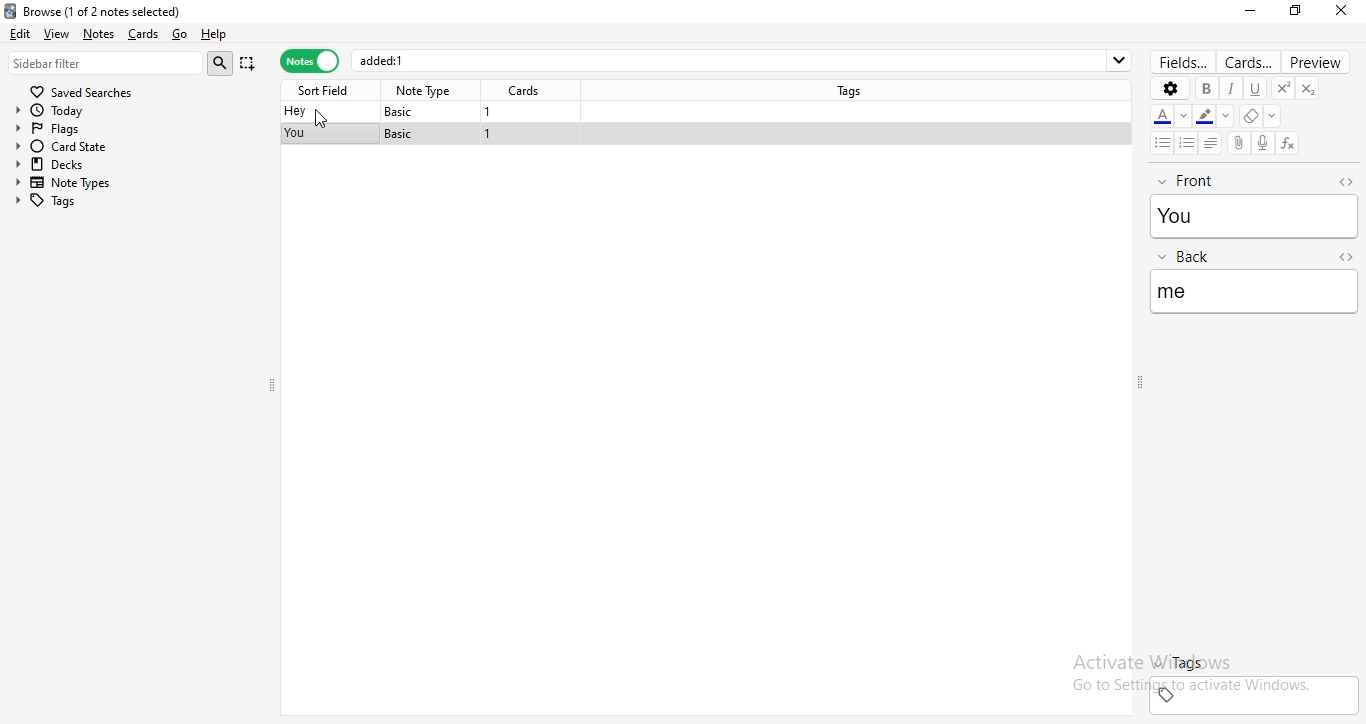 This screenshot has width=1366, height=724. Describe the element at coordinates (297, 134) in the screenshot. I see `you` at that location.